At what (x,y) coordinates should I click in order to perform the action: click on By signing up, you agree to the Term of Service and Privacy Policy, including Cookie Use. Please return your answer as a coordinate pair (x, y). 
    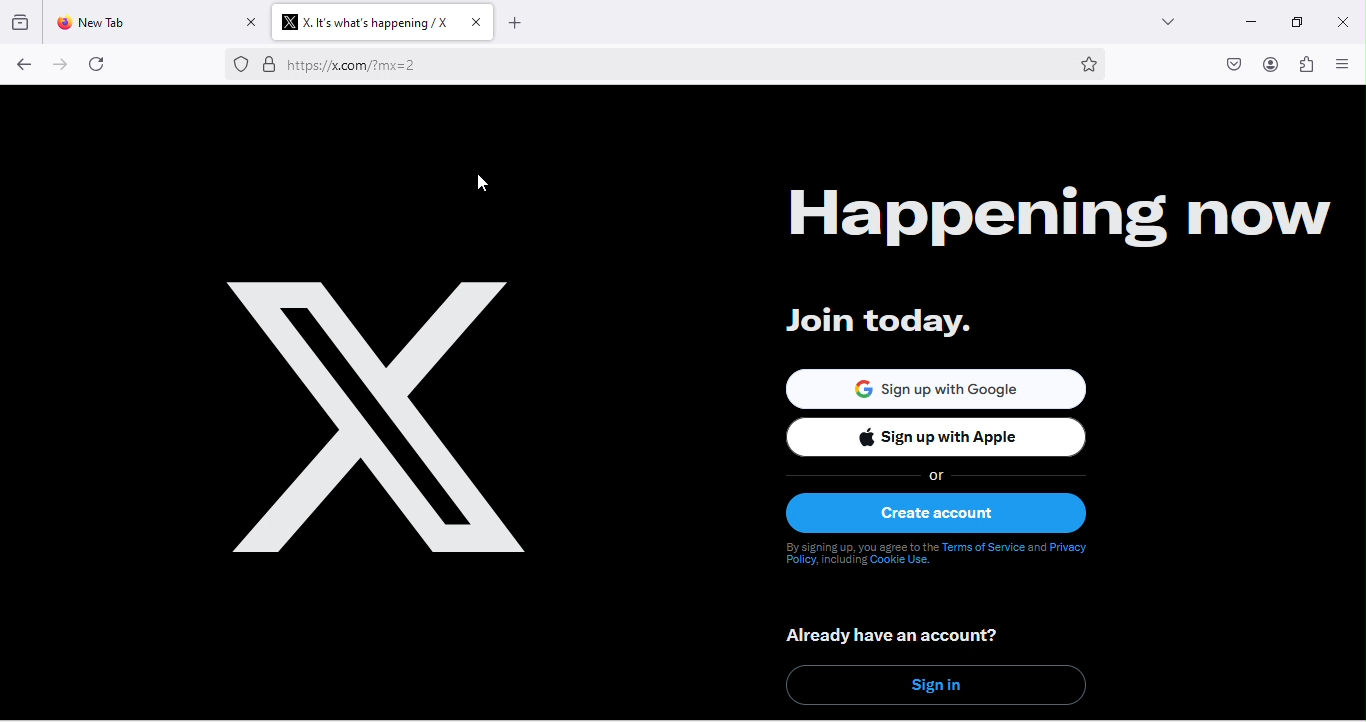
    Looking at the image, I should click on (940, 558).